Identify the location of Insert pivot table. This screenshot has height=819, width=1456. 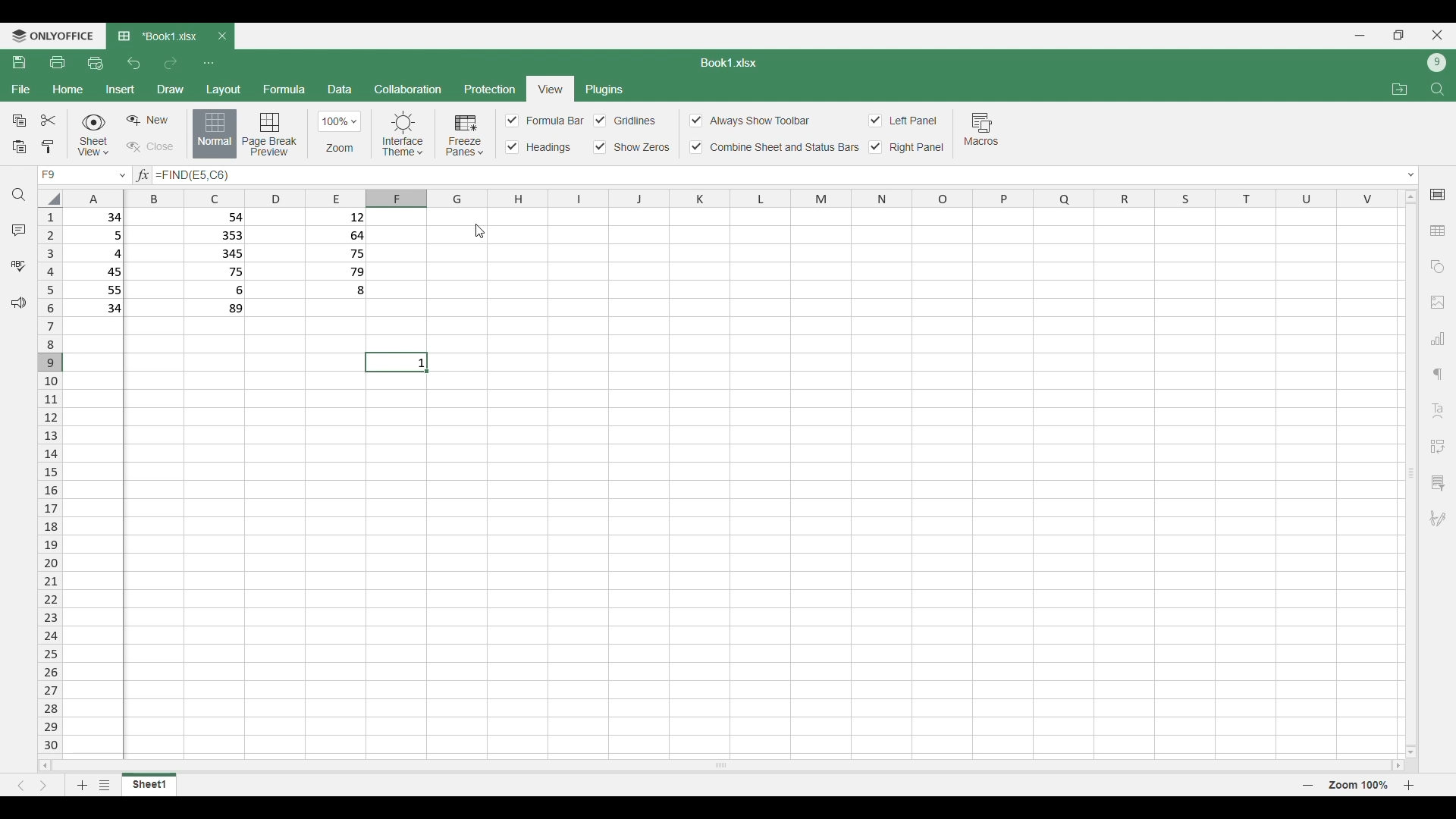
(1437, 447).